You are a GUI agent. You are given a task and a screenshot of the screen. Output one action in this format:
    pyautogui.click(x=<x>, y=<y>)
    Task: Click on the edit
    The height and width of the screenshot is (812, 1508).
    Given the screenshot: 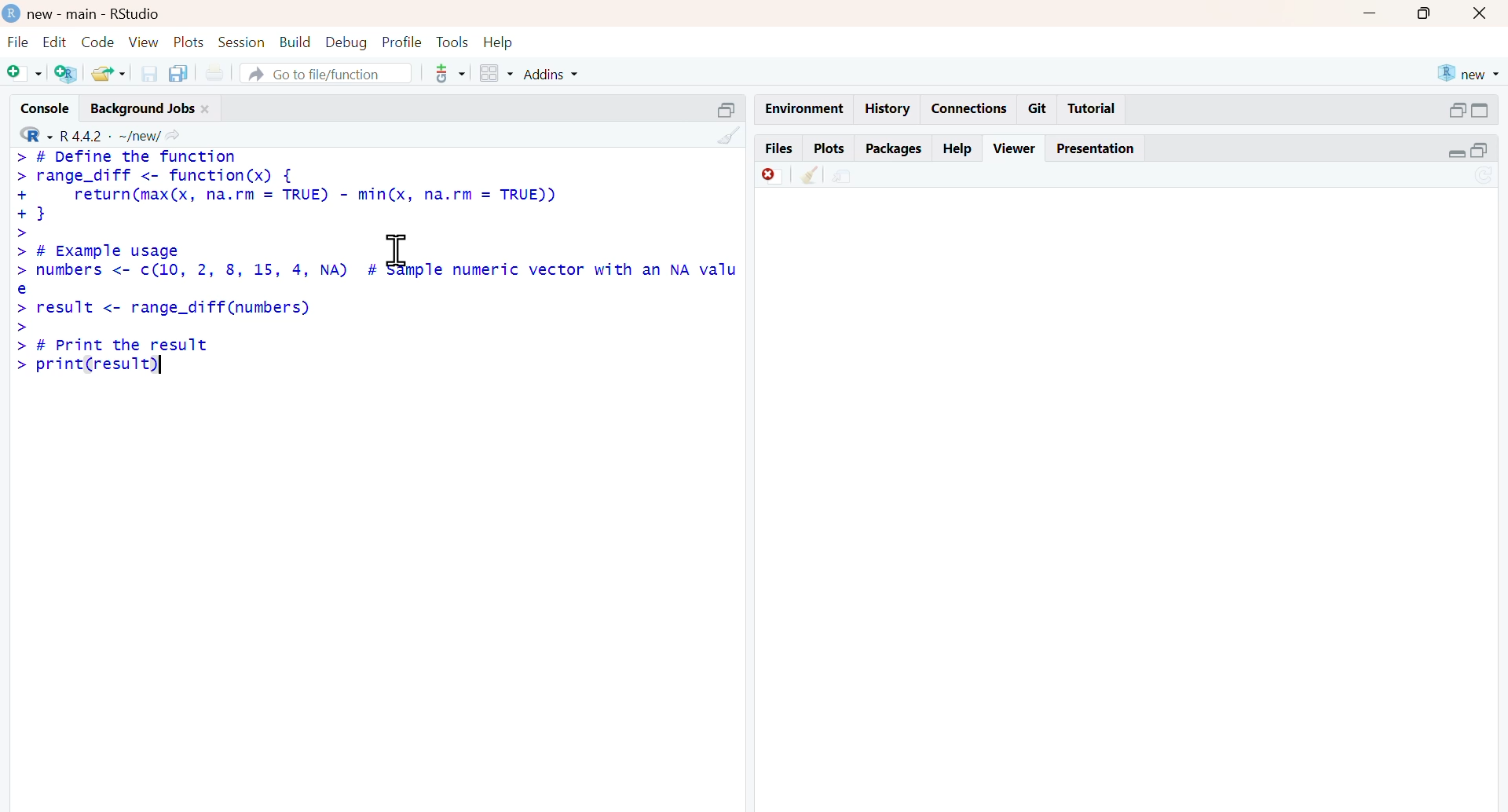 What is the action you would take?
    pyautogui.click(x=55, y=42)
    